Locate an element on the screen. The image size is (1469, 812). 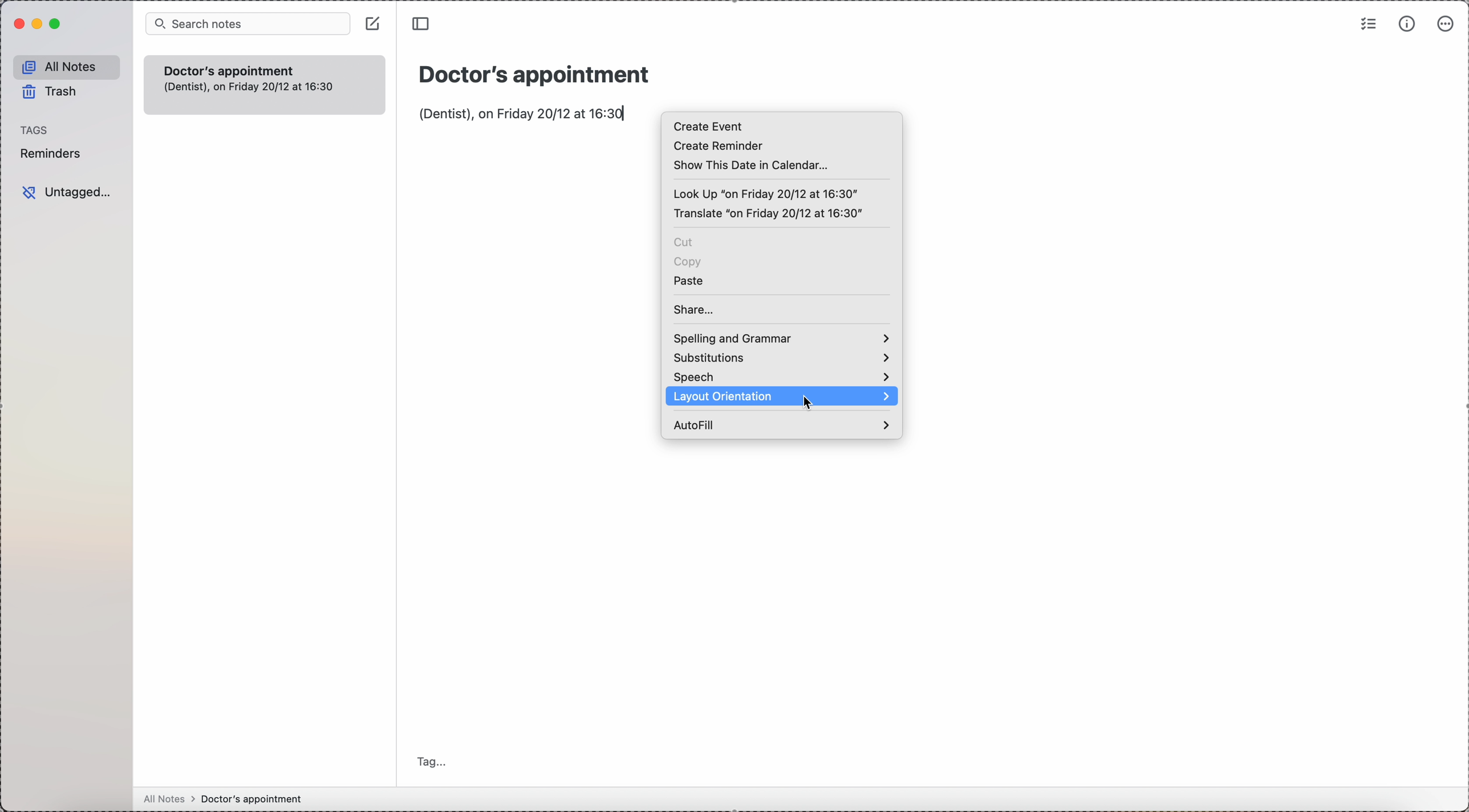
cursor is located at coordinates (810, 402).